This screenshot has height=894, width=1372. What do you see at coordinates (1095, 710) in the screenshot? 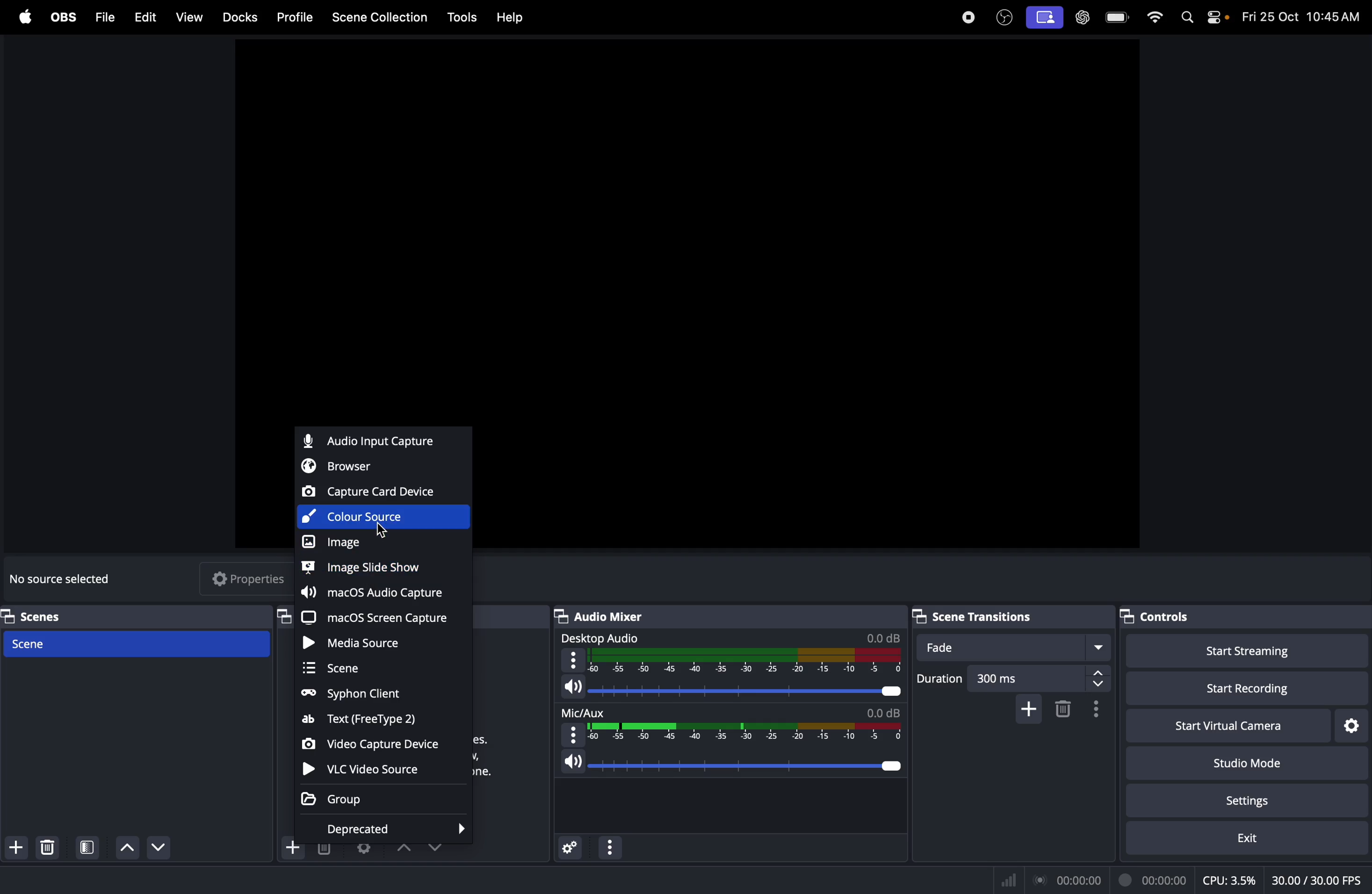
I see `transition properties` at bounding box center [1095, 710].